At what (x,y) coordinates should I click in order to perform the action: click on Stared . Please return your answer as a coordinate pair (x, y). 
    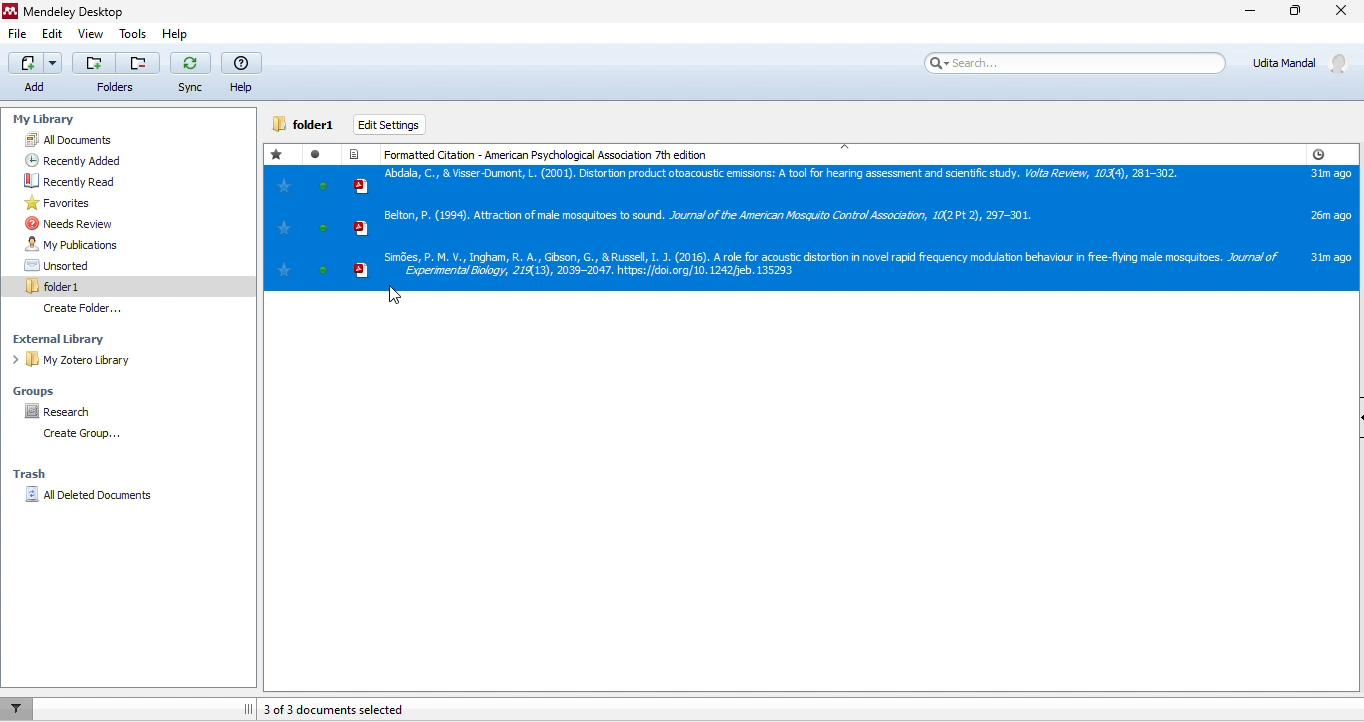
    Looking at the image, I should click on (279, 154).